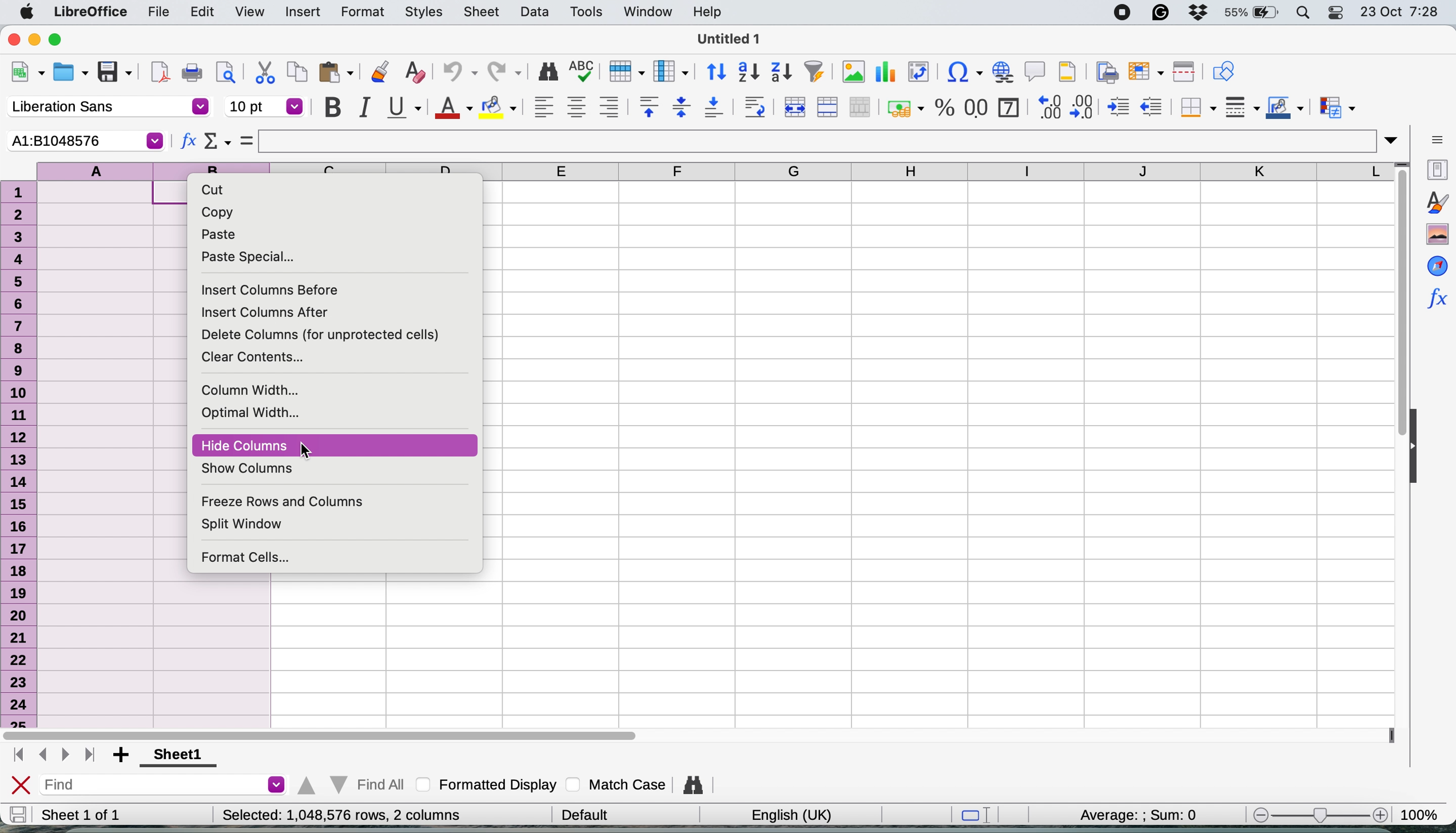 The width and height of the screenshot is (1456, 833). What do you see at coordinates (782, 72) in the screenshot?
I see `sort descending` at bounding box center [782, 72].